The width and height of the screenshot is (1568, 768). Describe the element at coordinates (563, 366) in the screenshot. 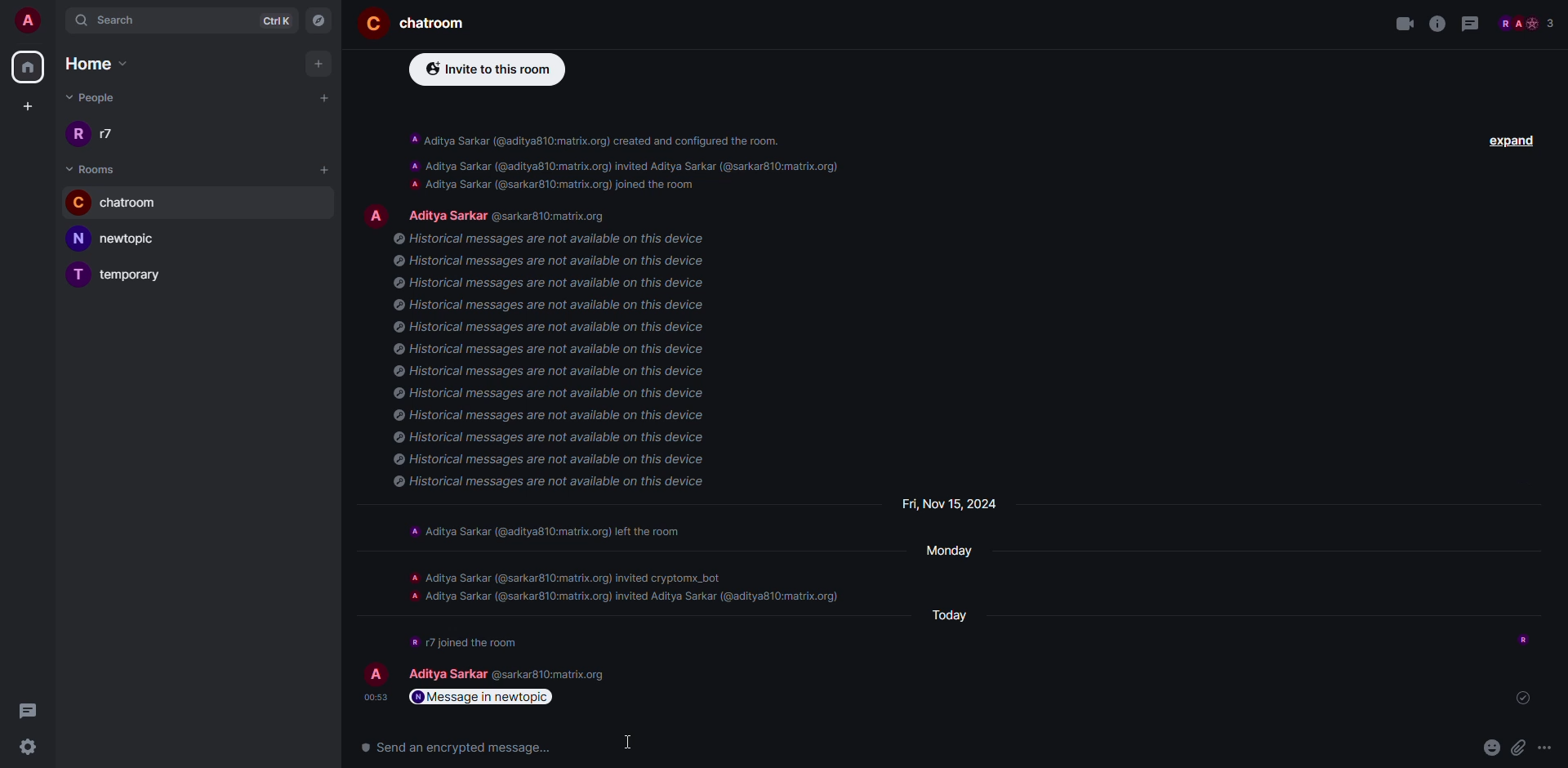

I see `© Historical messages are not available on this device
© Historical messages are not available on this device
© Historical messages are not available on this device
© Historical messages are not available on this device
© Historical messages are not available on this device
© Historical messages are not available on this device
© Historical messages are not available on this device
© Historical messages are not available on this device
© Historical messages are not available on this device
© Historical messages are not available on this device
© Historical messages are not available on this device
© Historical messages are not available on this device` at that location.